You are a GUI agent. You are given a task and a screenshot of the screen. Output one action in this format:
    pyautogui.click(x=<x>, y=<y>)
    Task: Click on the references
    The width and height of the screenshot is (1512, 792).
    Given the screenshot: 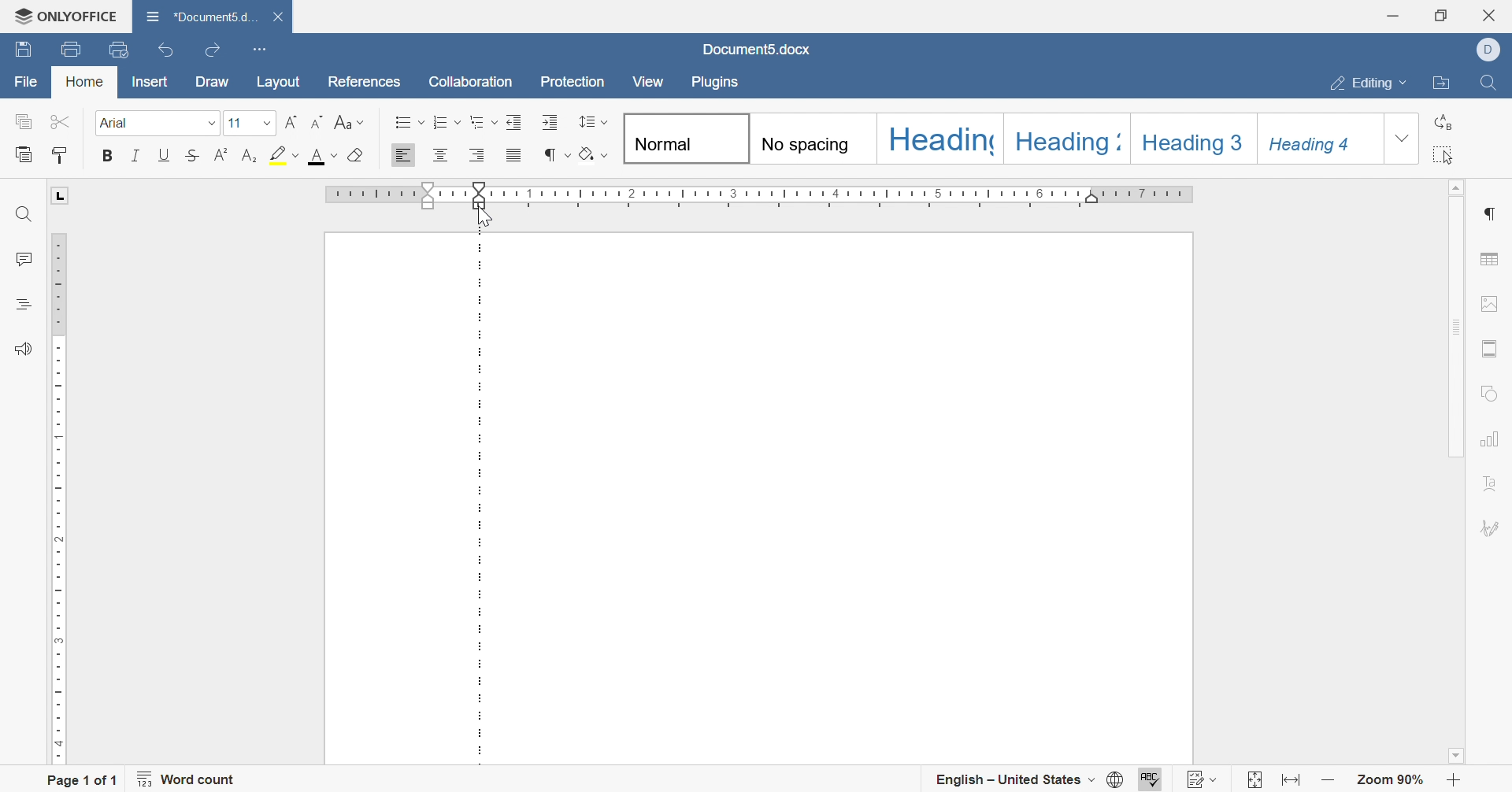 What is the action you would take?
    pyautogui.click(x=365, y=81)
    